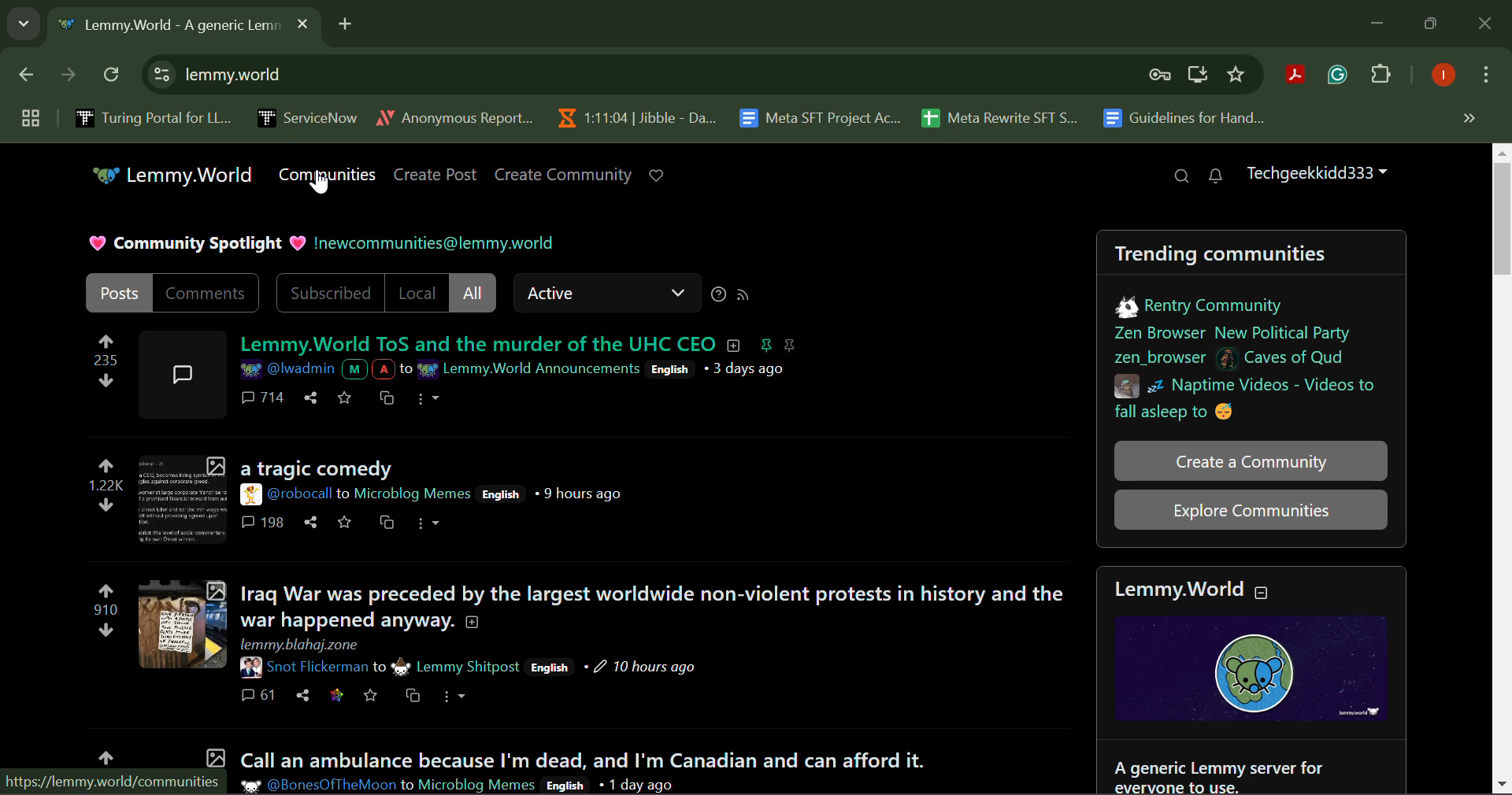  I want to click on English, so click(499, 494).